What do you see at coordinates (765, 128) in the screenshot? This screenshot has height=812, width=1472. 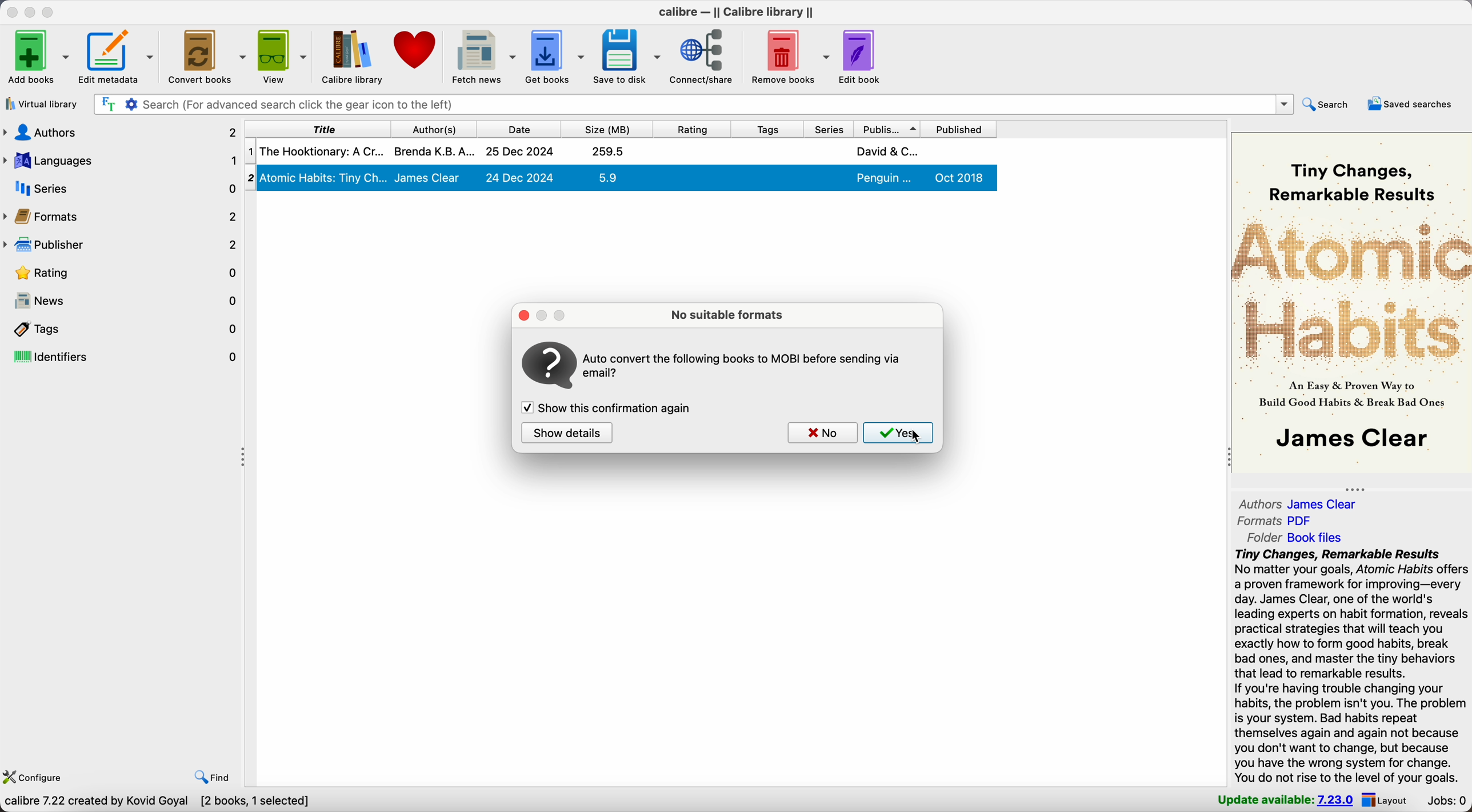 I see `tags` at bounding box center [765, 128].